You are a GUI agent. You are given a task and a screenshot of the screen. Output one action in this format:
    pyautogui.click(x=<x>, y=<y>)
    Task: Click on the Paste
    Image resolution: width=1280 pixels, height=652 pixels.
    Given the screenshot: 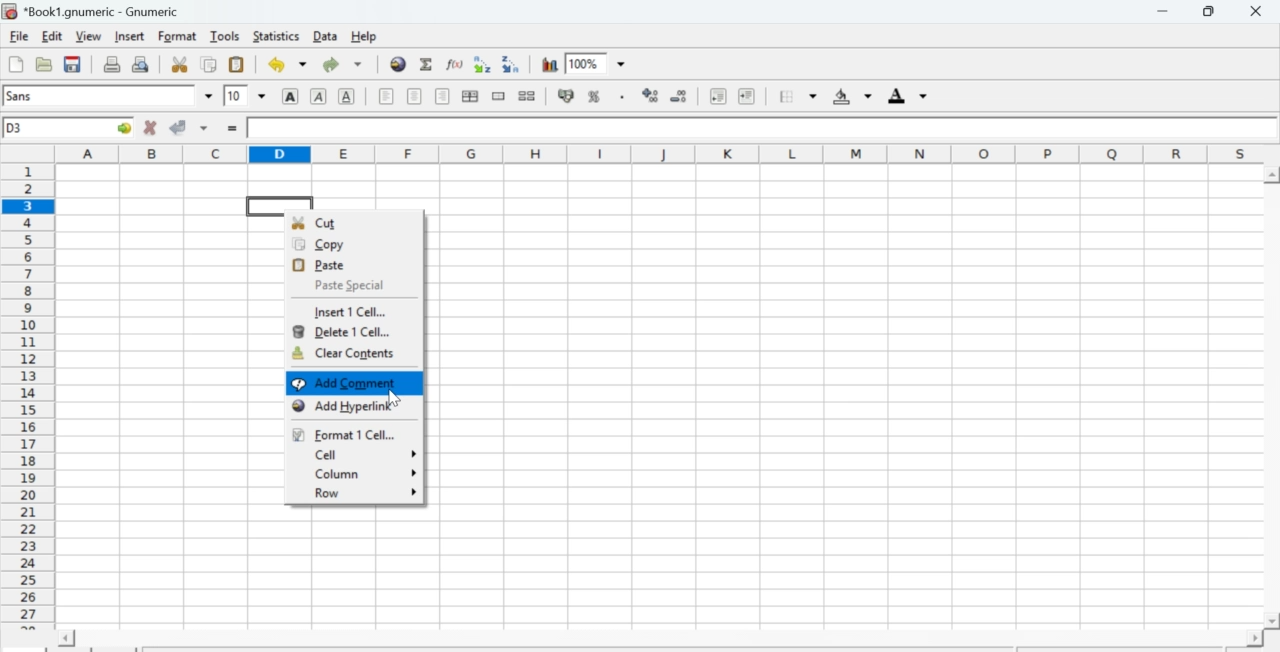 What is the action you would take?
    pyautogui.click(x=326, y=264)
    